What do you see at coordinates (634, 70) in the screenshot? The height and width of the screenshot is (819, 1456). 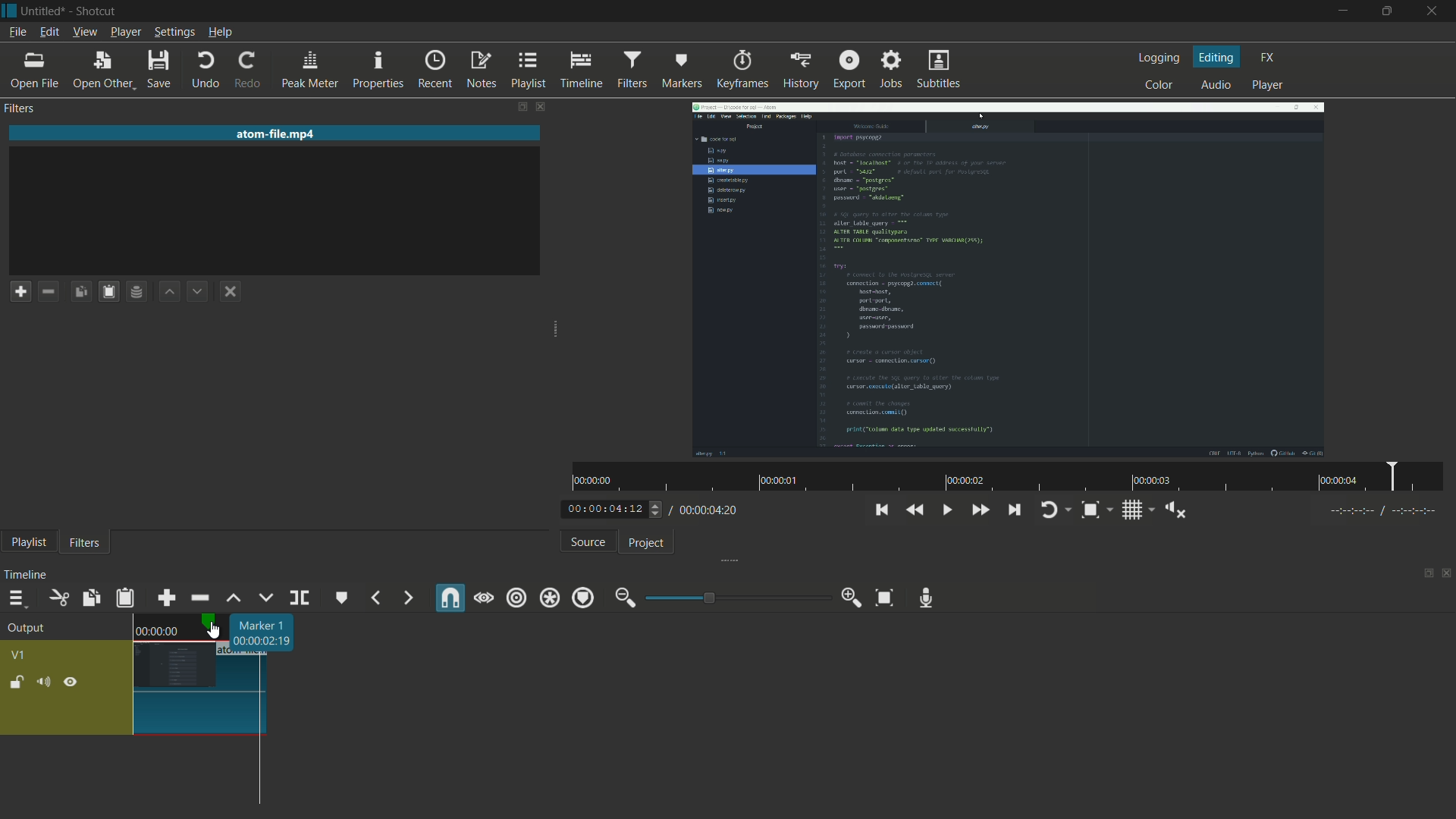 I see `filter` at bounding box center [634, 70].